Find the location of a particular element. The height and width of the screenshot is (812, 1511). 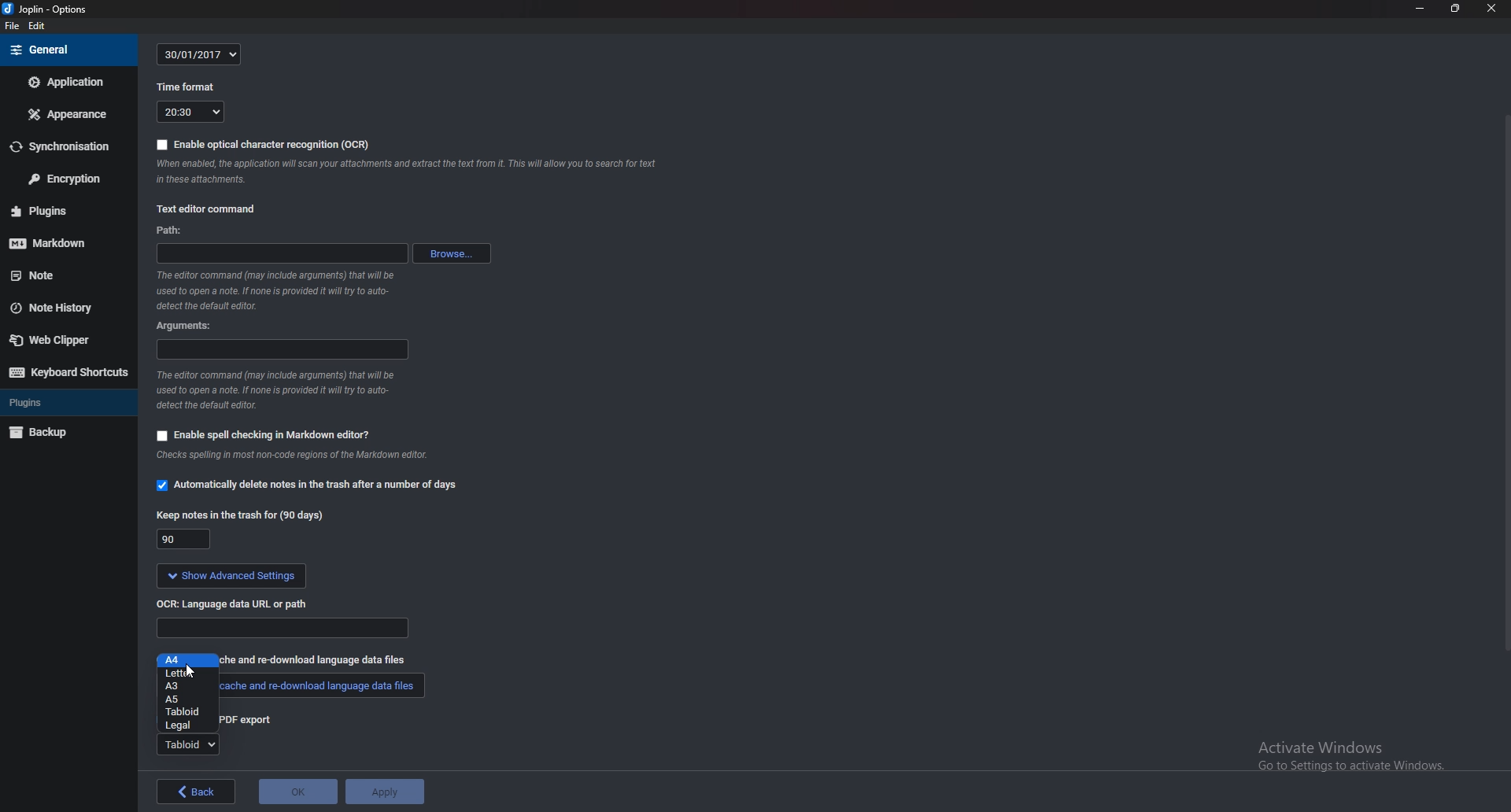

path is located at coordinates (175, 231).